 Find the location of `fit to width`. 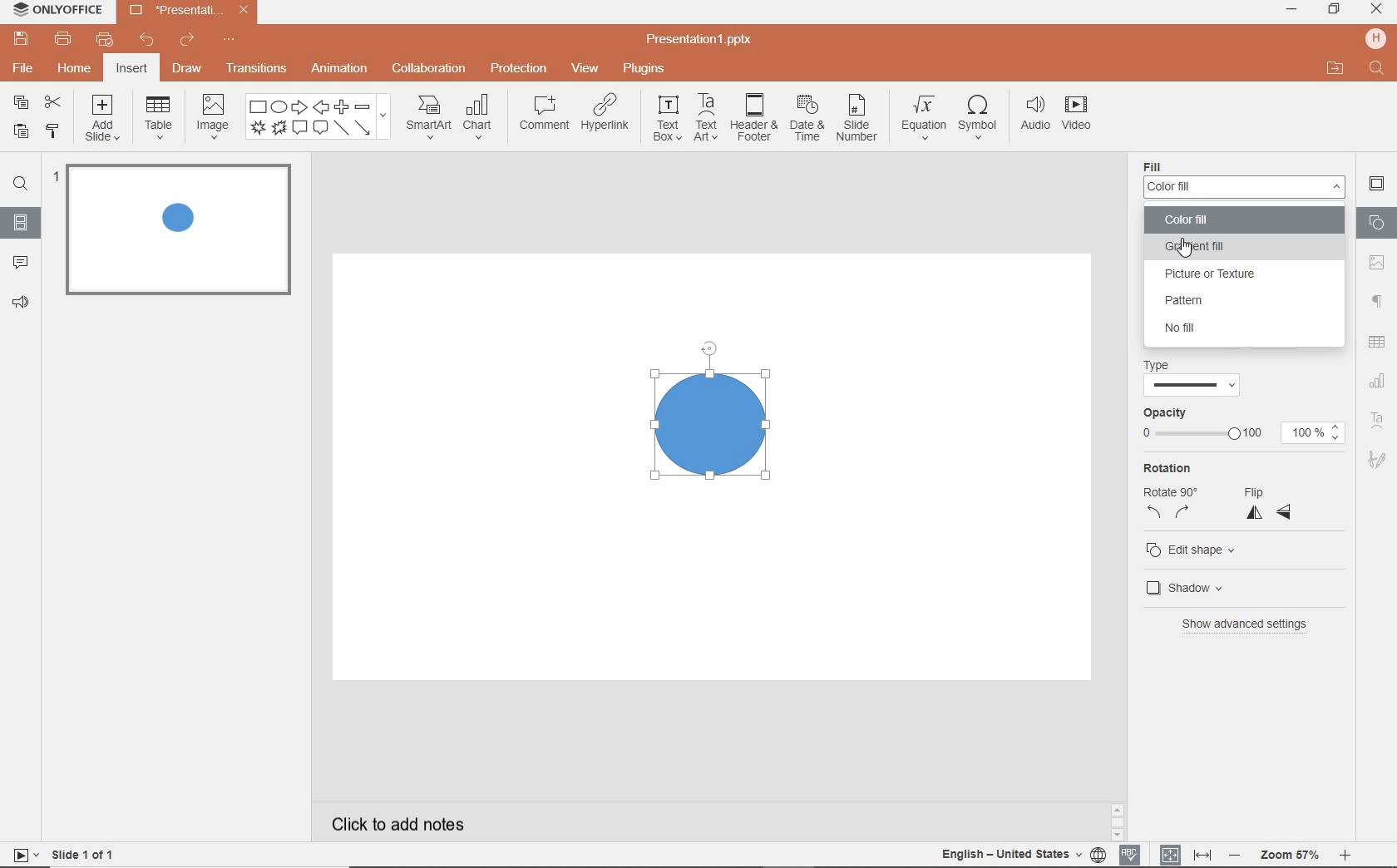

fit to width is located at coordinates (1202, 852).